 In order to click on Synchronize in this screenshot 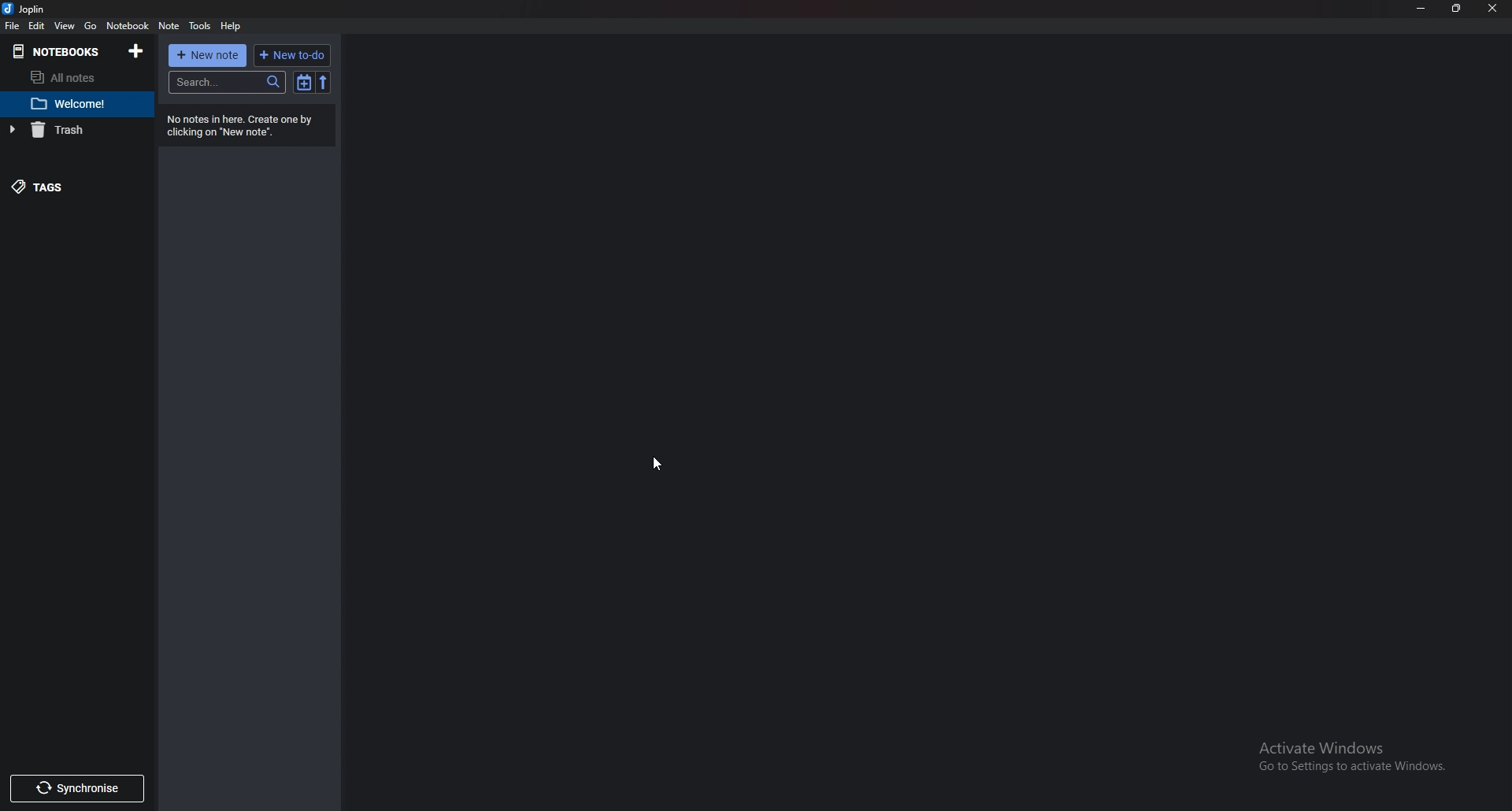, I will do `click(77, 791)`.